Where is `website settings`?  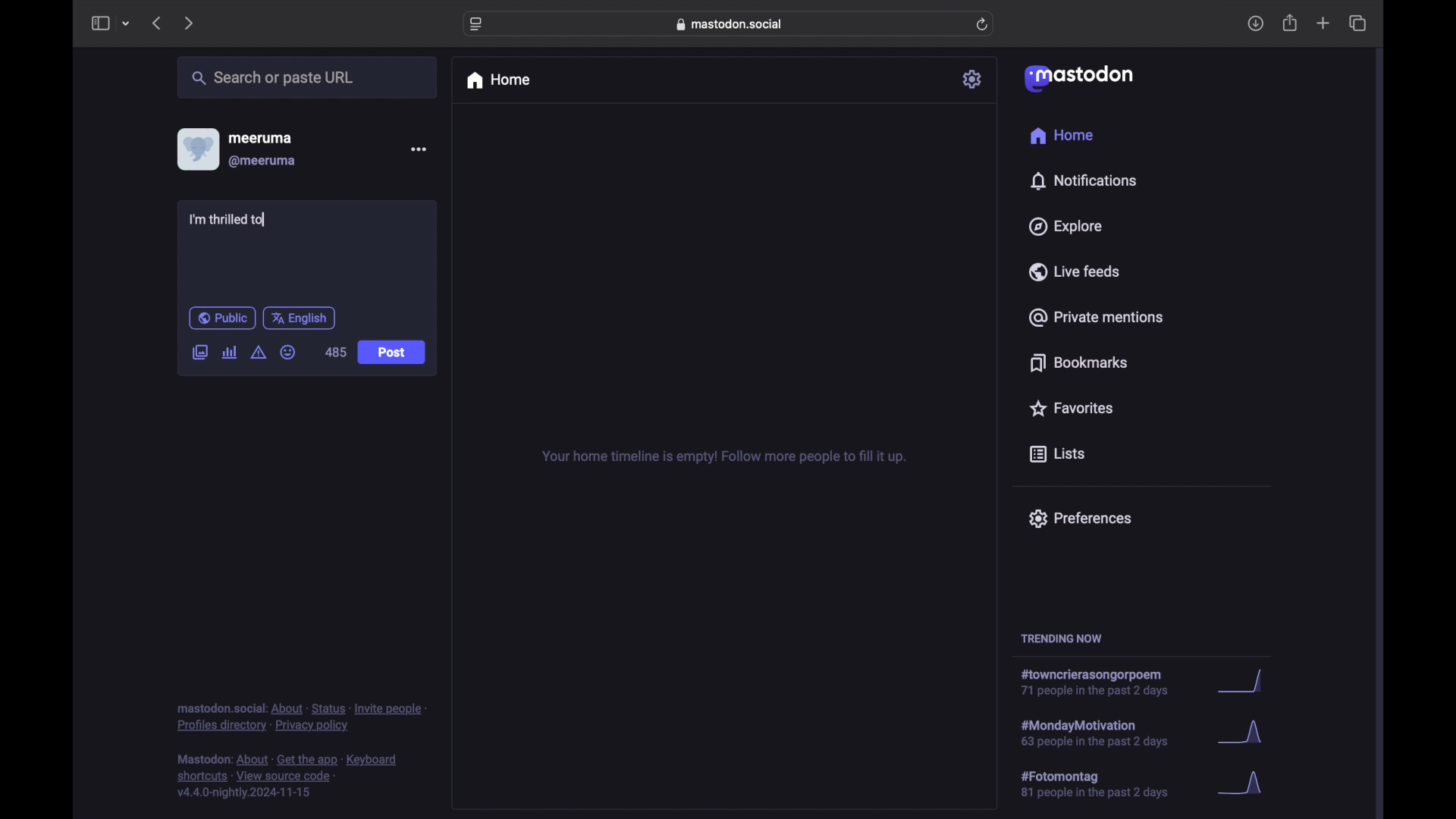
website settings is located at coordinates (476, 25).